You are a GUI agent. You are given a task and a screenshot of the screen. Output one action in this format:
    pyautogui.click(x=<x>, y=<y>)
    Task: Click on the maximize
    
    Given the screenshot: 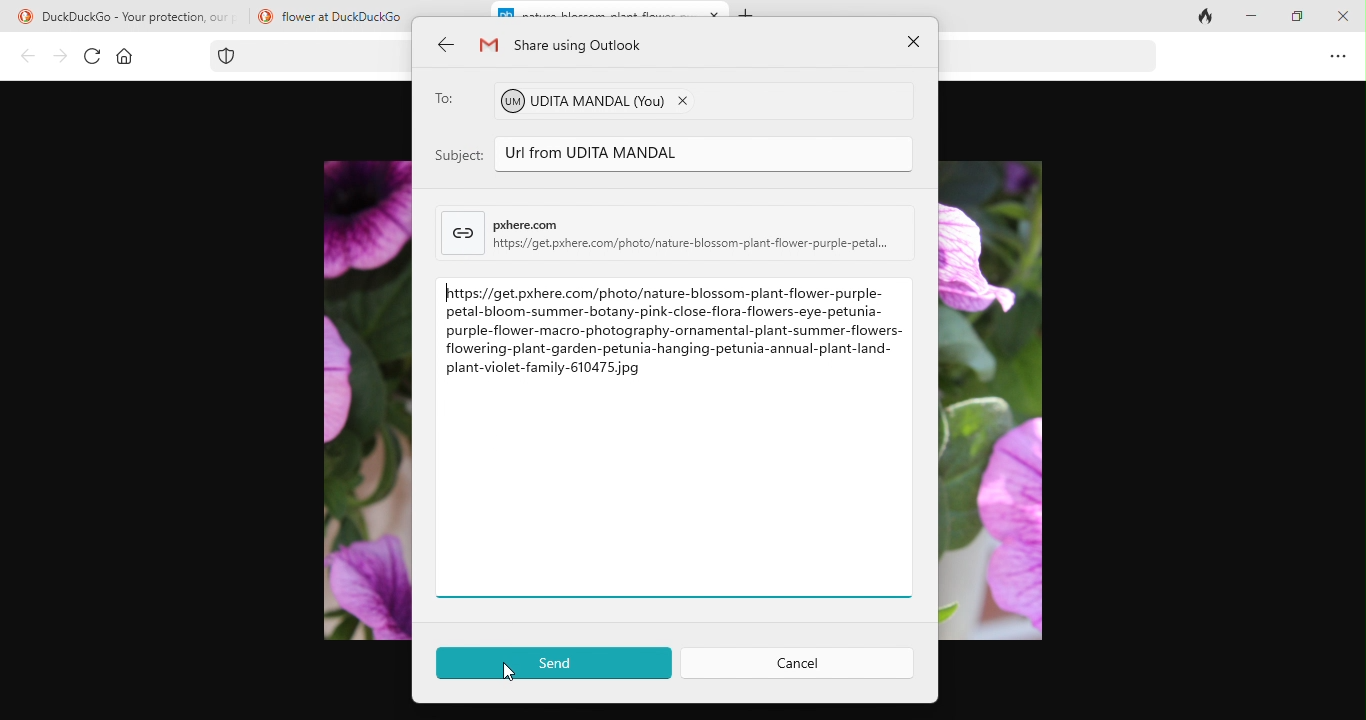 What is the action you would take?
    pyautogui.click(x=1293, y=21)
    